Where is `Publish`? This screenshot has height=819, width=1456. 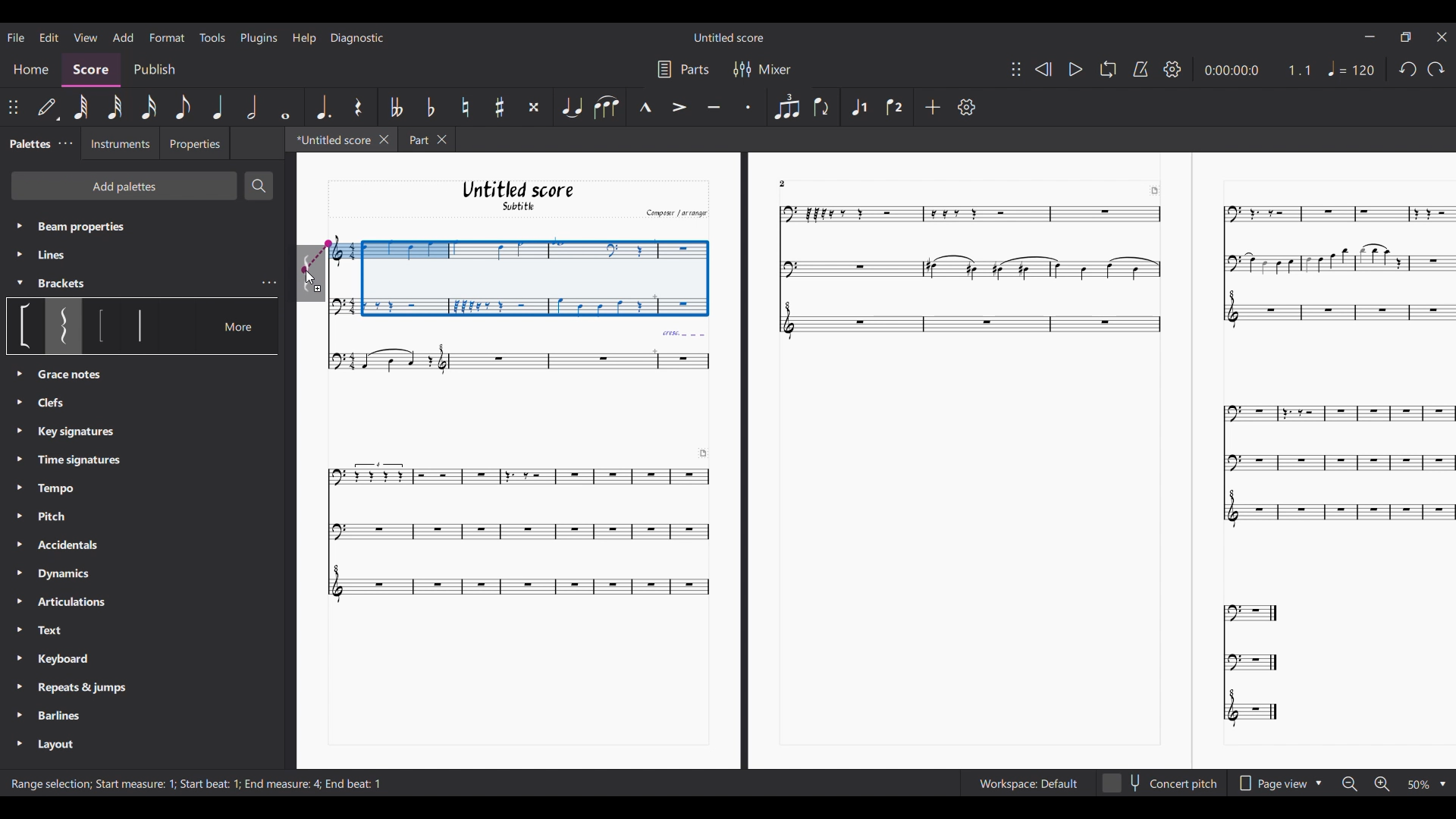 Publish is located at coordinates (153, 69).